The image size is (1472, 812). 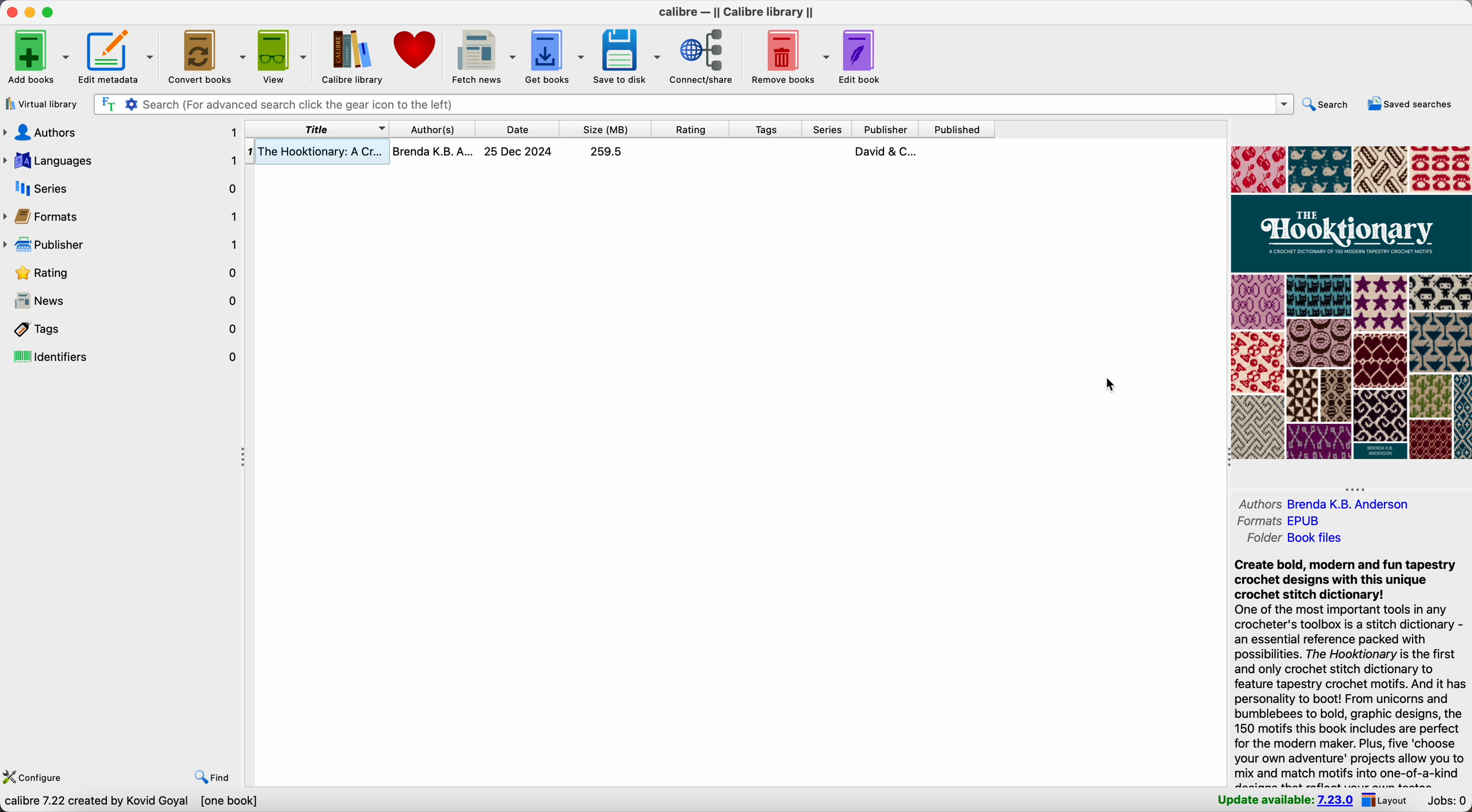 What do you see at coordinates (787, 57) in the screenshot?
I see `remove books` at bounding box center [787, 57].